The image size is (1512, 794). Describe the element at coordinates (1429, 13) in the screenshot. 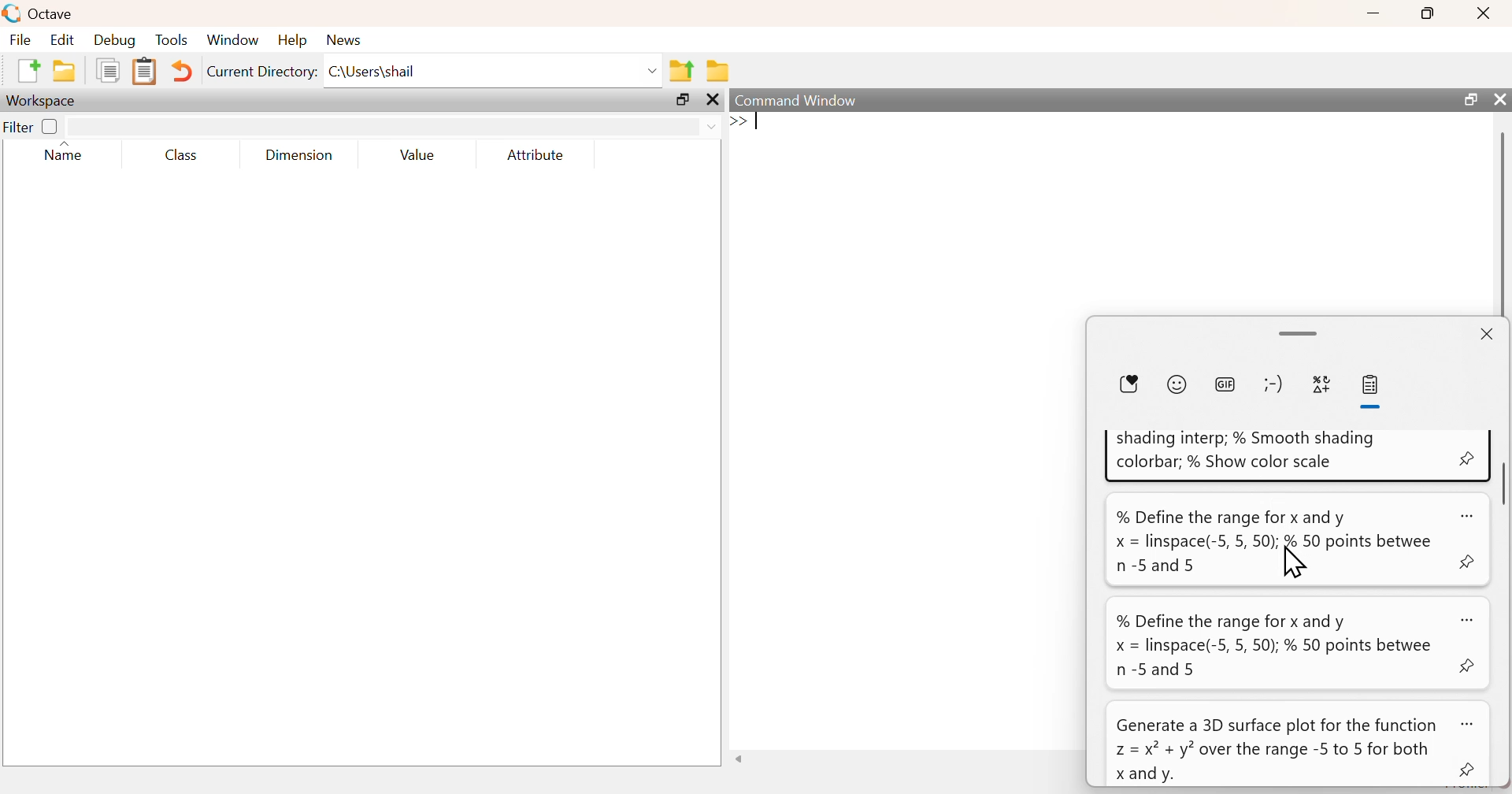

I see `maximize` at that location.